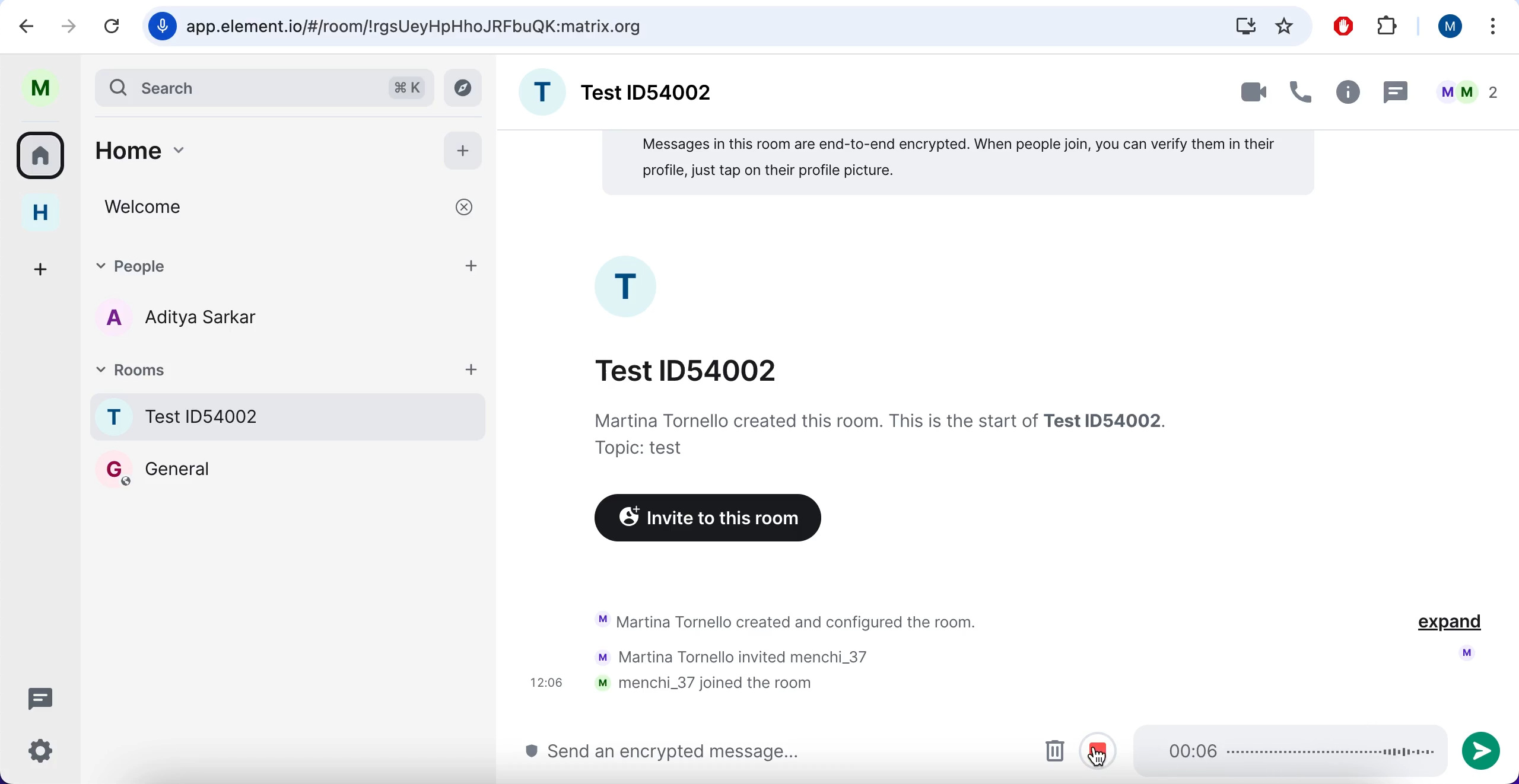 This screenshot has height=784, width=1519. Describe the element at coordinates (160, 26) in the screenshot. I see `voice record` at that location.